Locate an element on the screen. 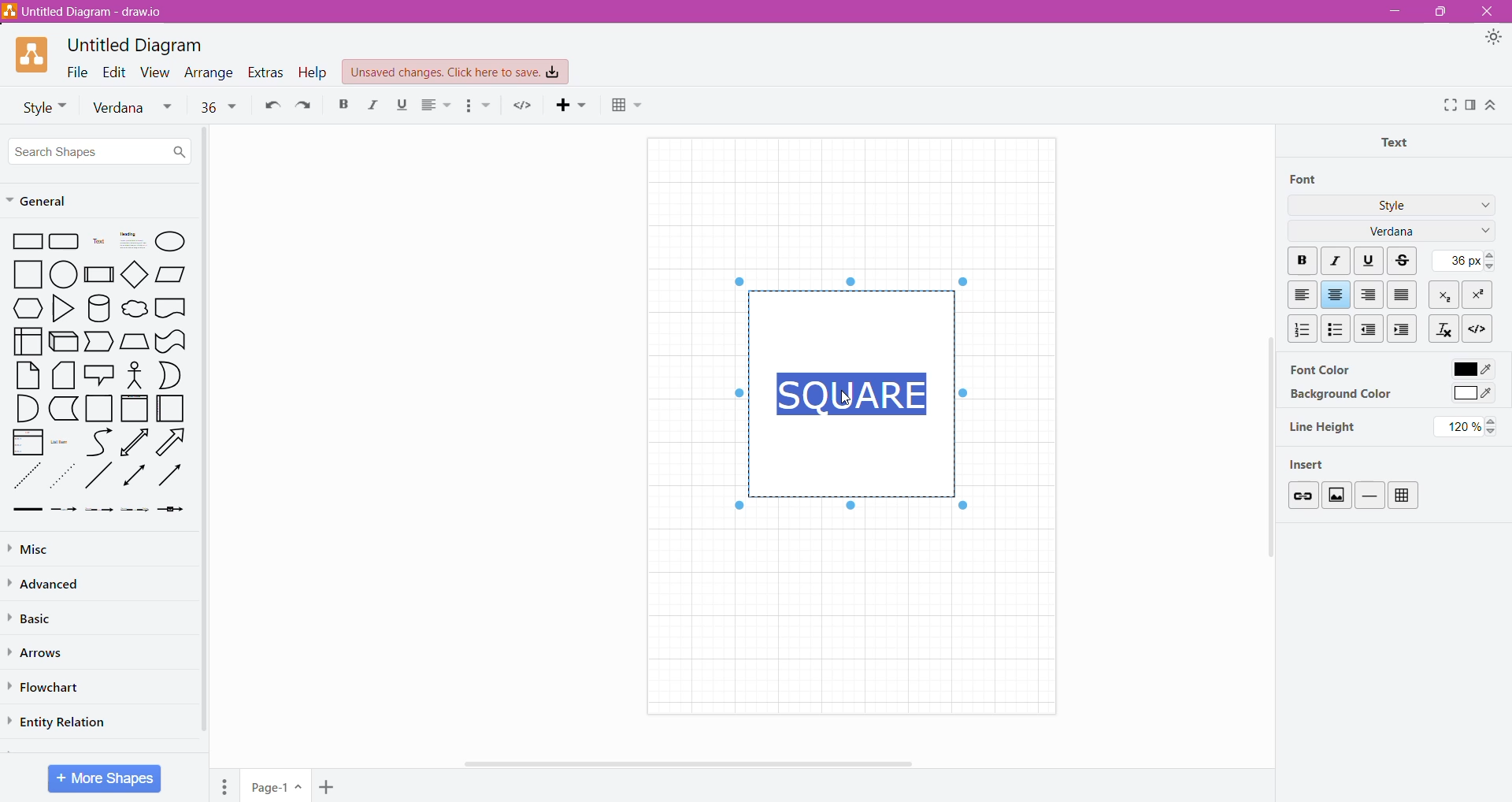 The image size is (1512, 802). Insert Horizontal Line is located at coordinates (1370, 495).